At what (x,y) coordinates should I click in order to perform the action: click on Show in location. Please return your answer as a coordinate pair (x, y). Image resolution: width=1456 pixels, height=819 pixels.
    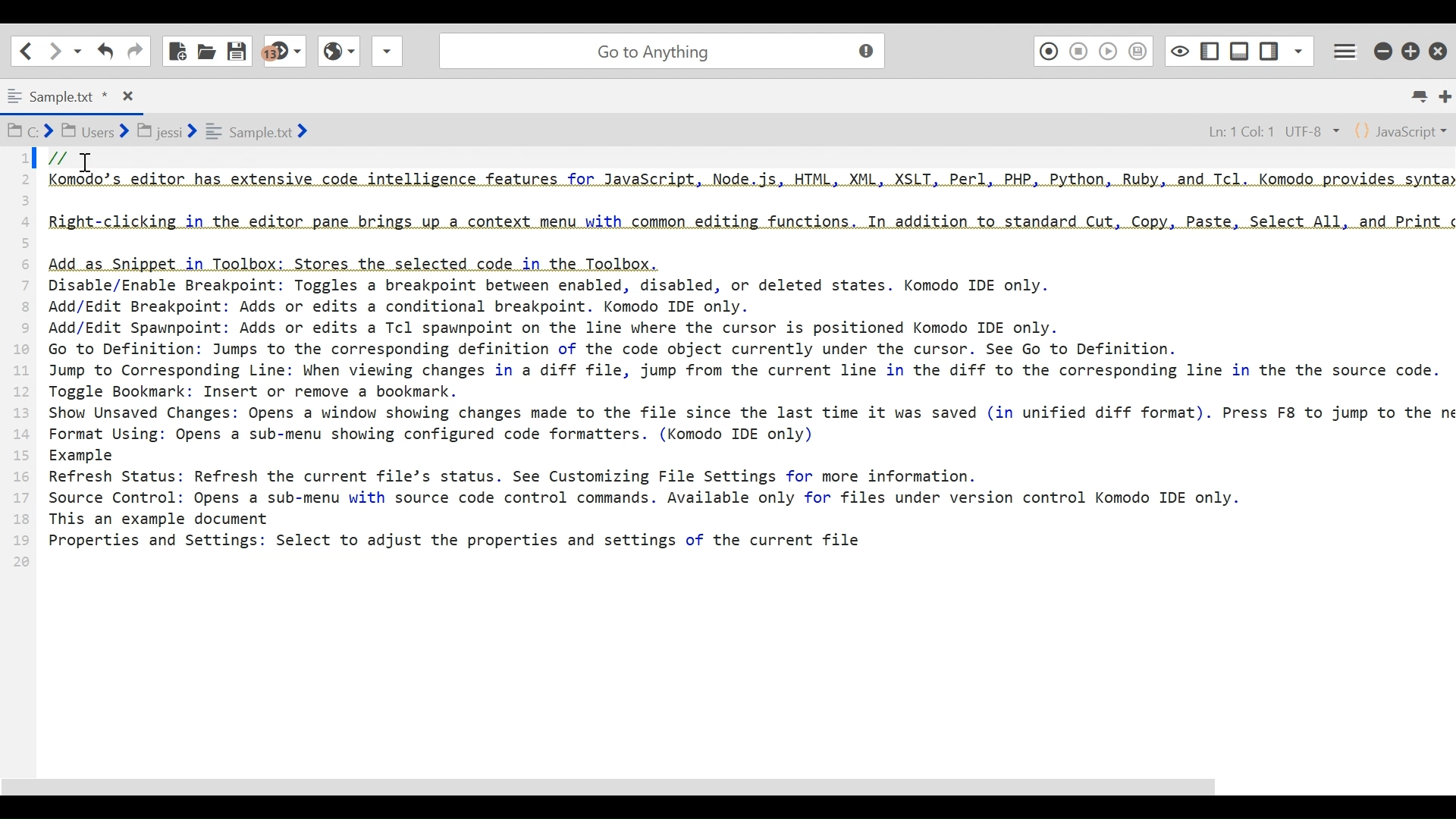
    Looking at the image, I should click on (159, 130).